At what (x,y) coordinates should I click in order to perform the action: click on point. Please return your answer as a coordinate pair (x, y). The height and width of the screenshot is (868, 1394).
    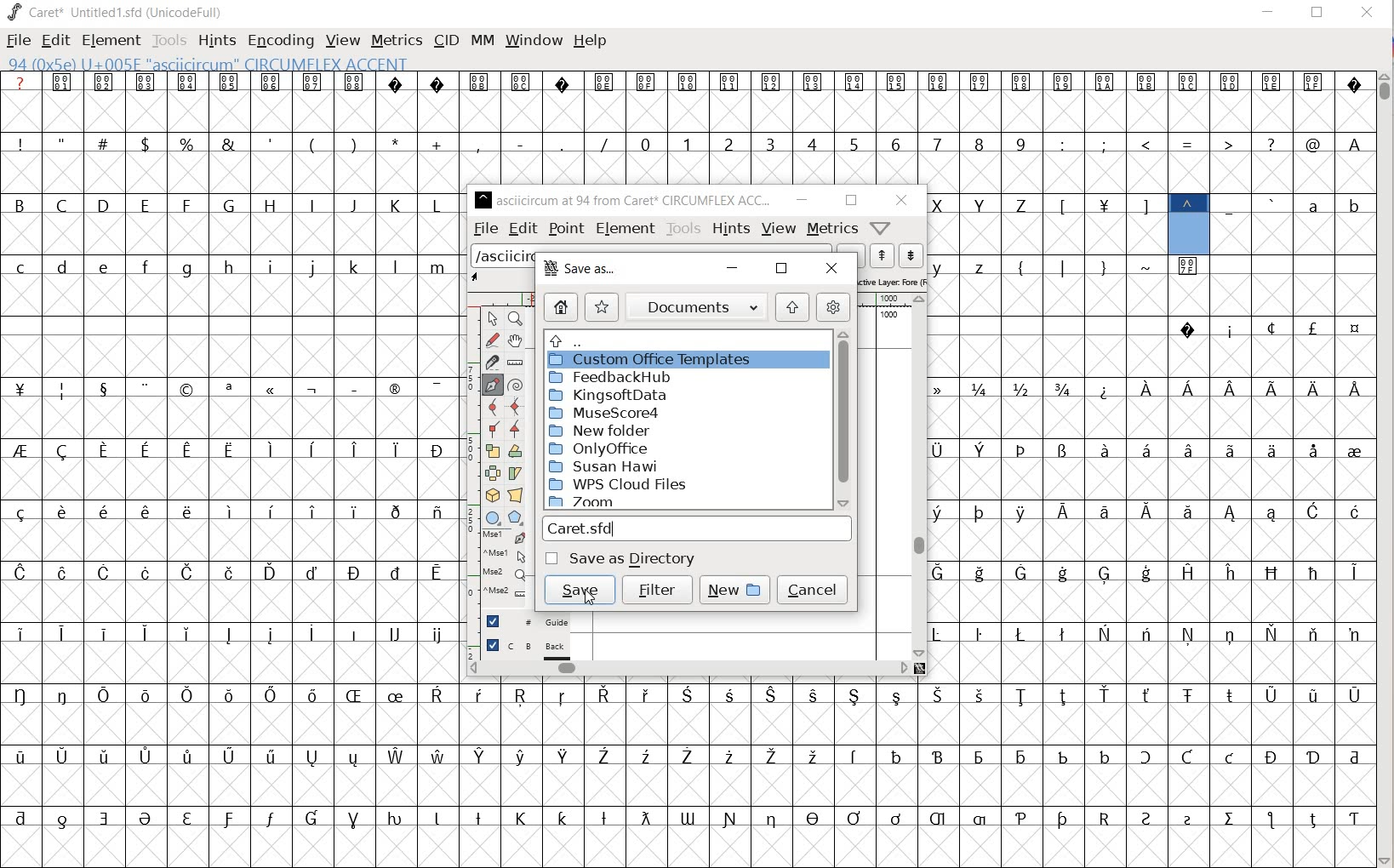
    Looking at the image, I should click on (566, 227).